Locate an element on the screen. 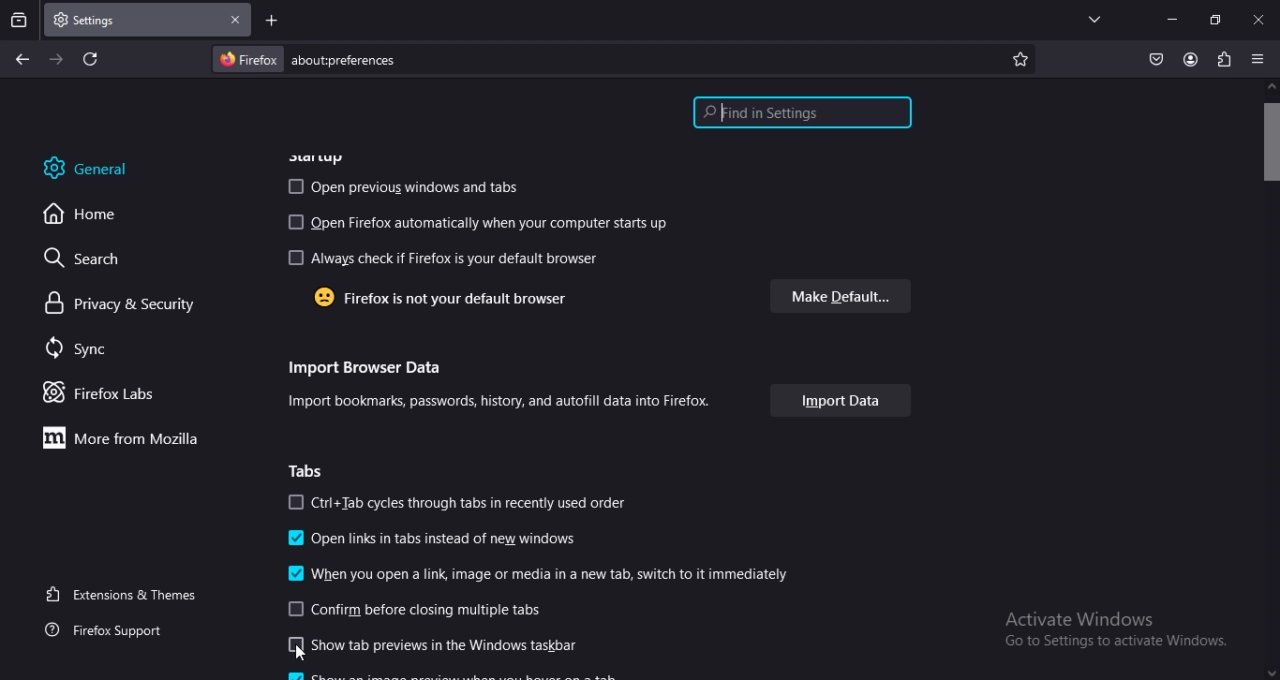  new tab is located at coordinates (271, 21).